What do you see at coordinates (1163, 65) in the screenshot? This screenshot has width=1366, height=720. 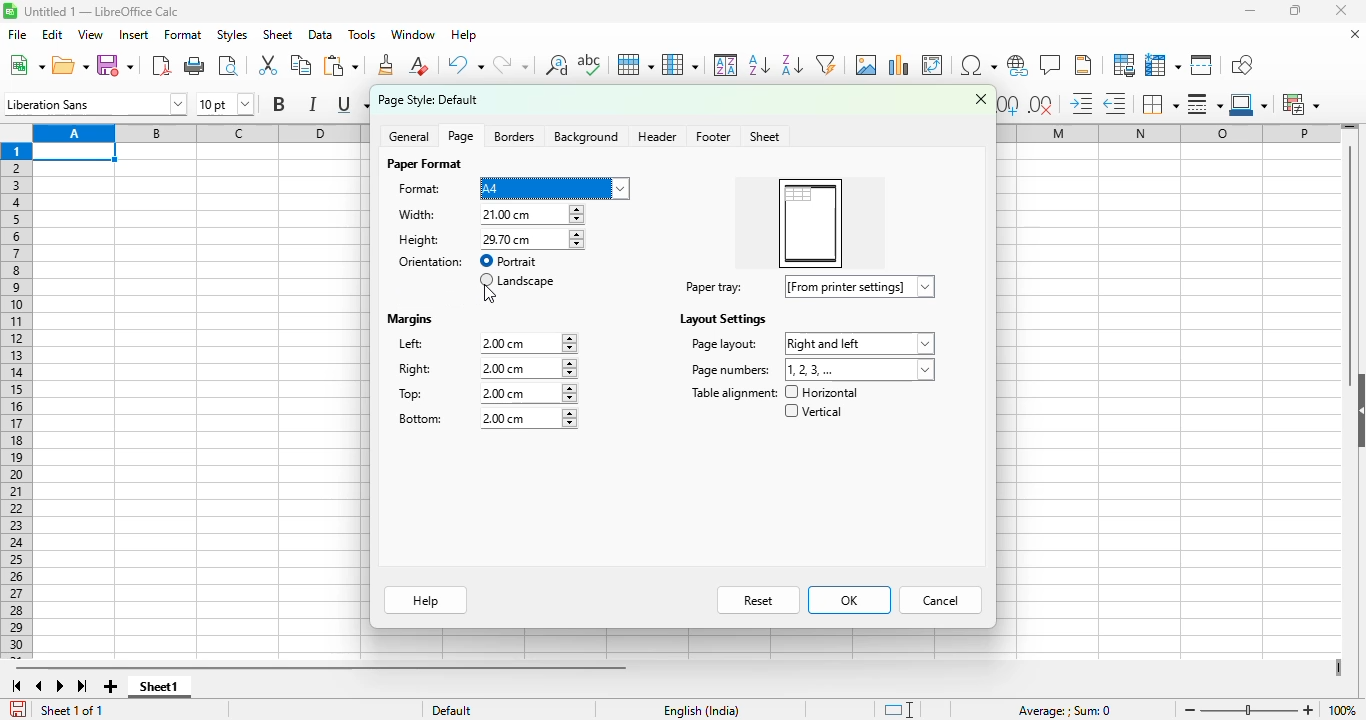 I see `freeze rows and columns` at bounding box center [1163, 65].